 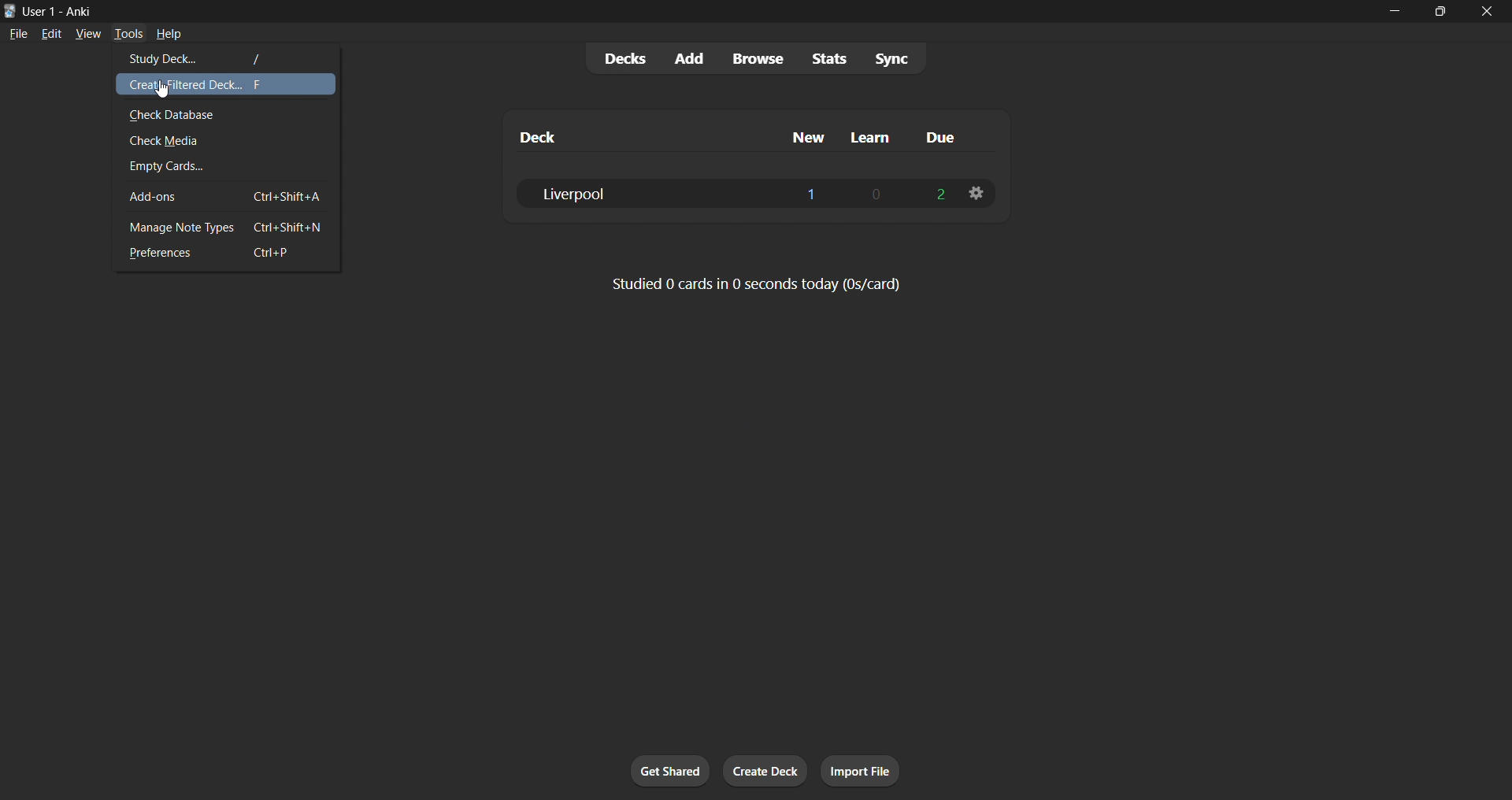 I want to click on decks, so click(x=619, y=59).